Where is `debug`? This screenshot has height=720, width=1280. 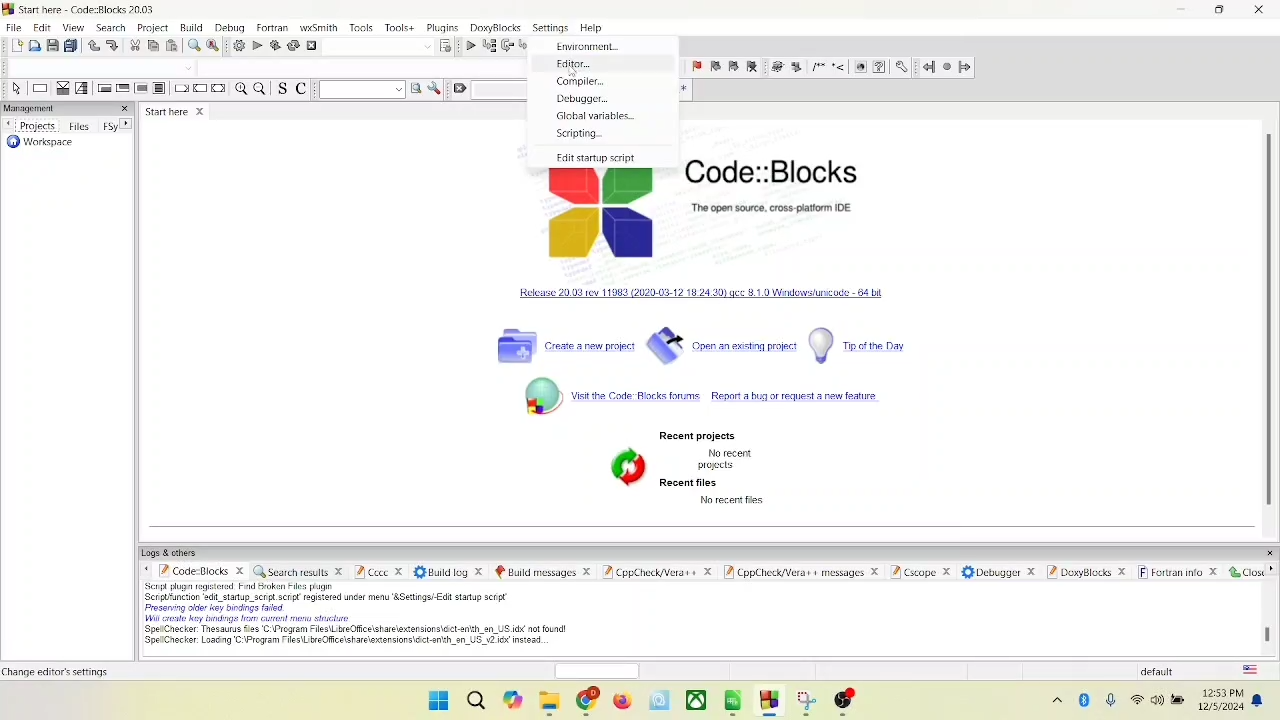
debug is located at coordinates (467, 47).